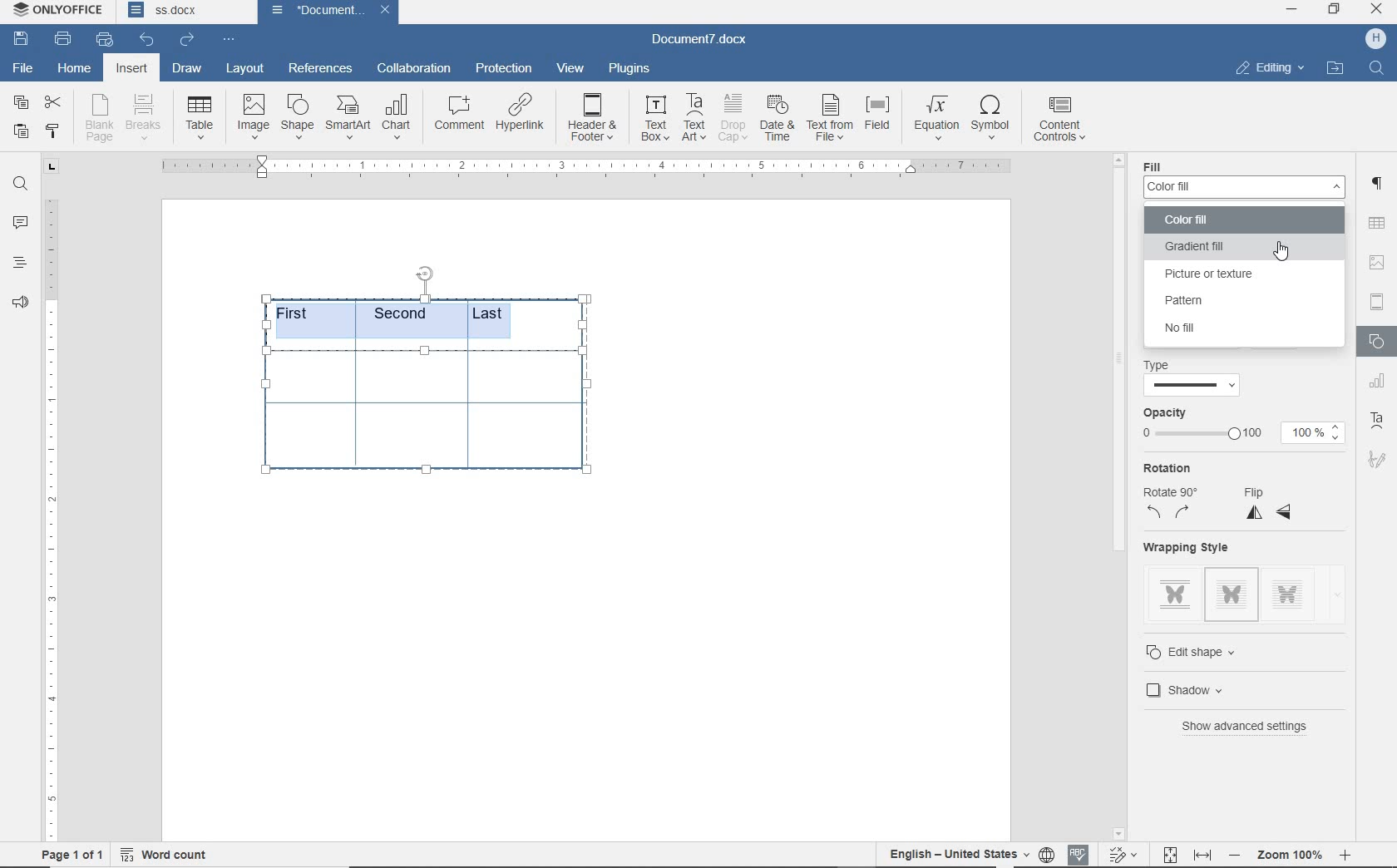 The height and width of the screenshot is (868, 1397). Describe the element at coordinates (131, 70) in the screenshot. I see `insert` at that location.